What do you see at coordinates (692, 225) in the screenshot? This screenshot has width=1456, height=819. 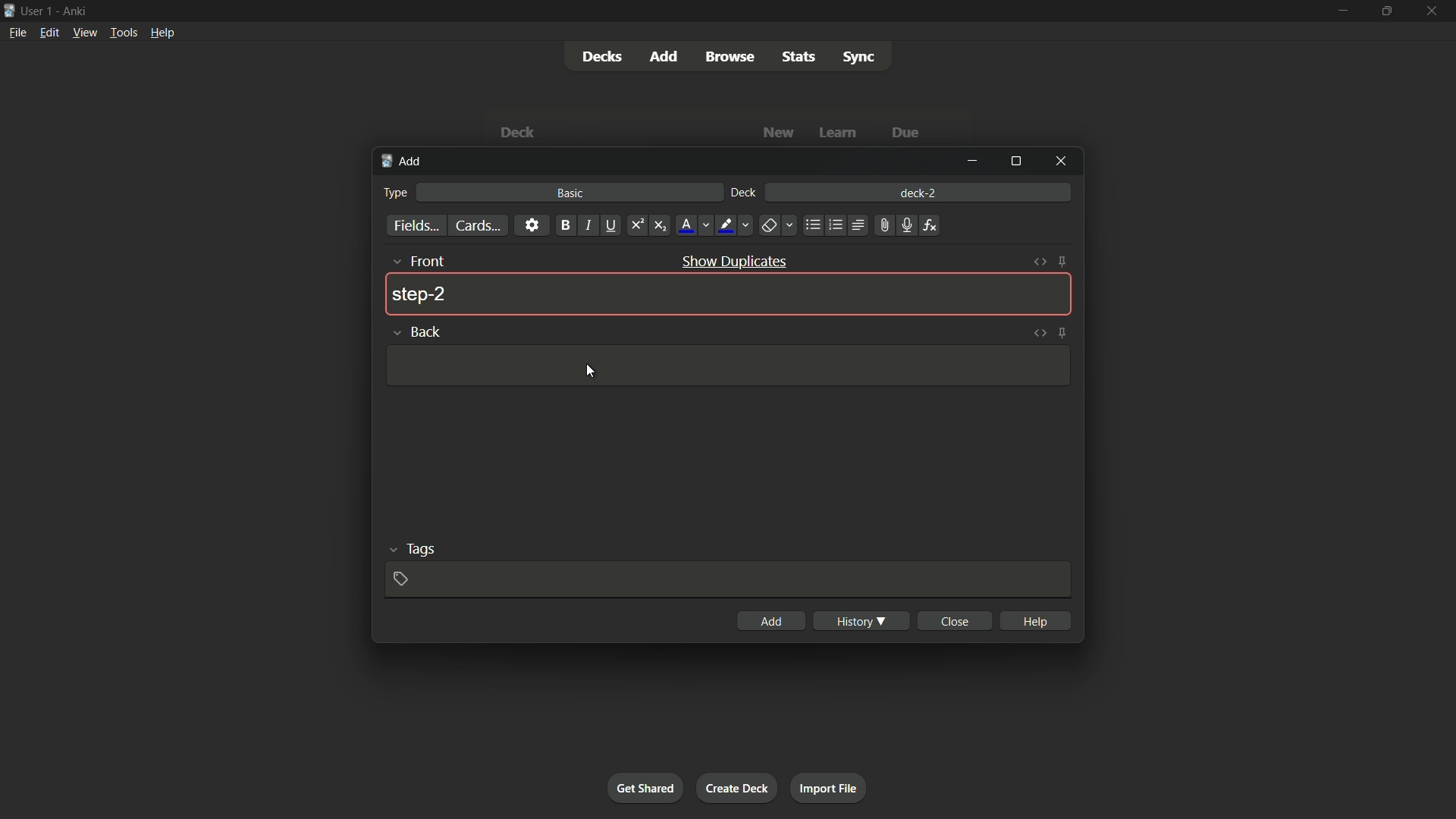 I see `font color` at bounding box center [692, 225].